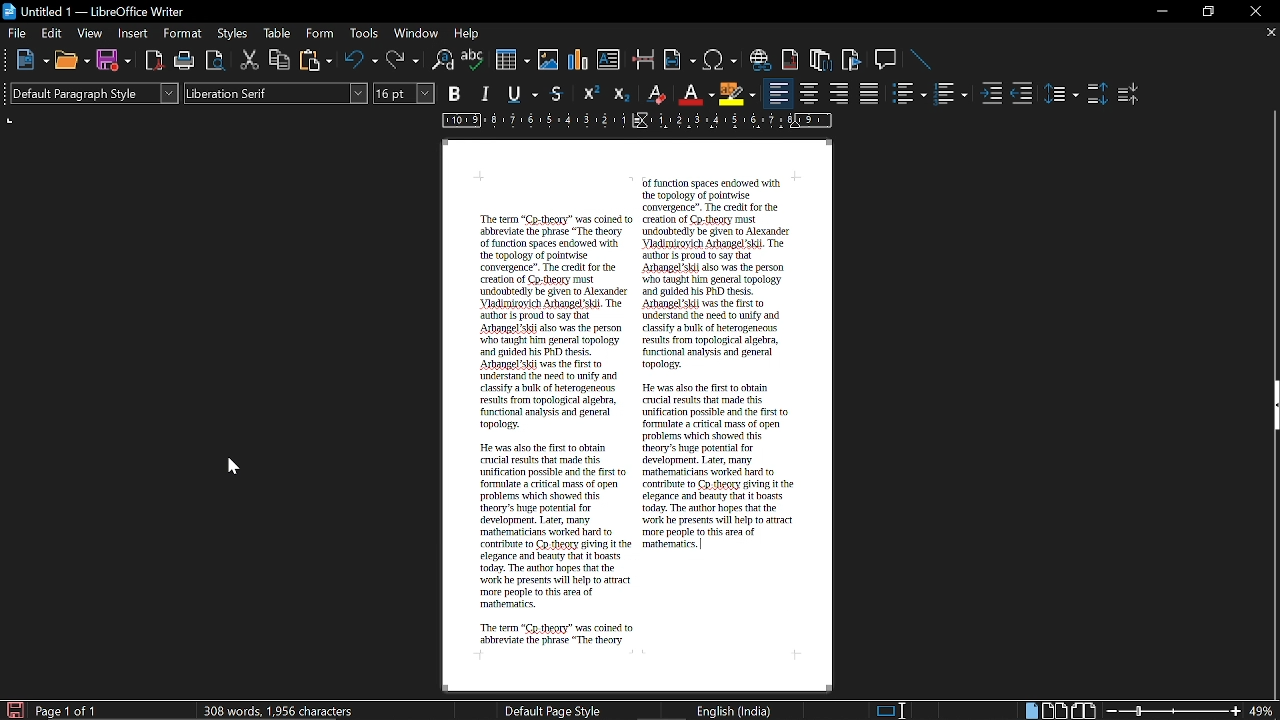 This screenshot has width=1280, height=720. I want to click on Paste, so click(316, 61).